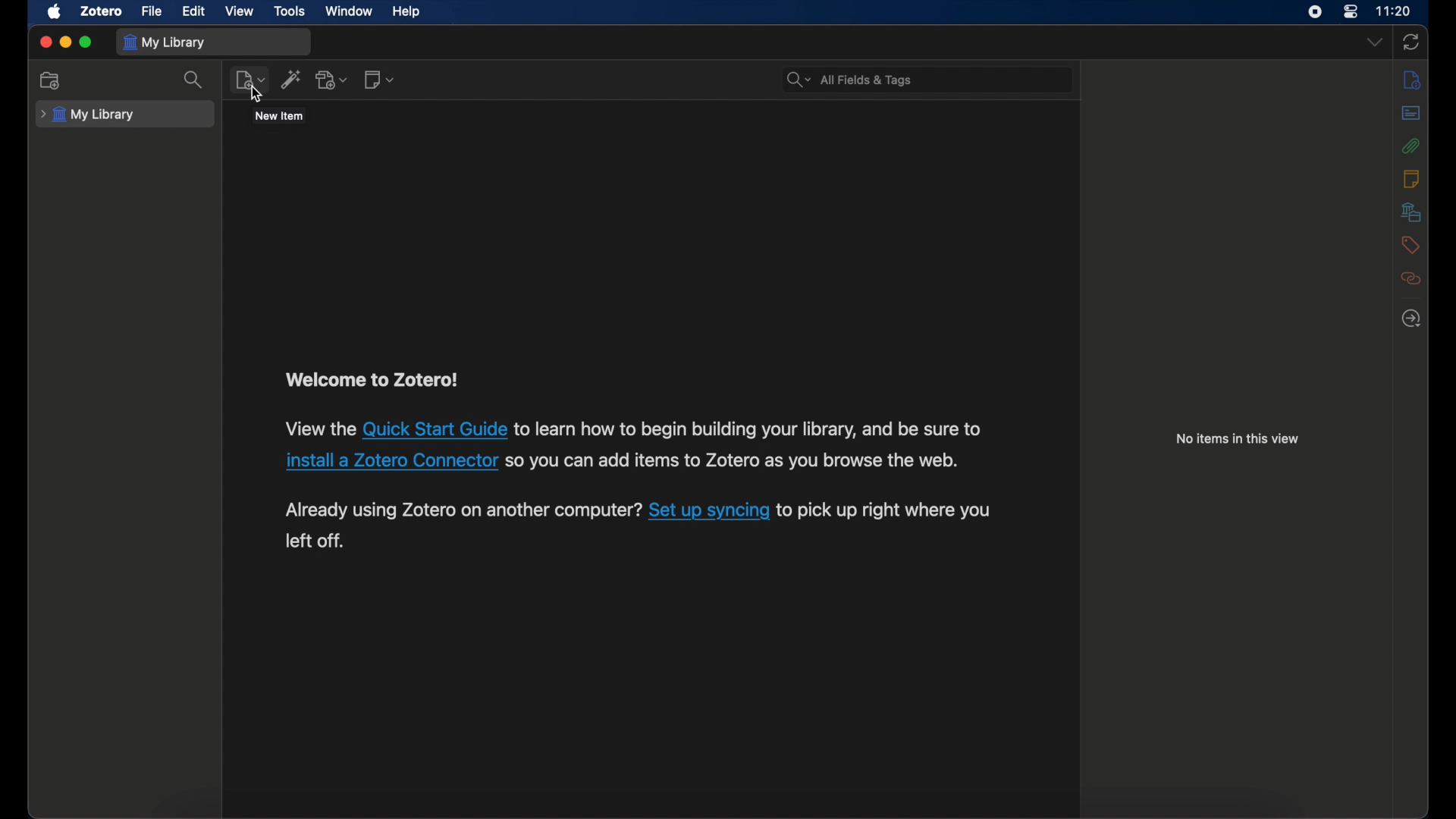 This screenshot has width=1456, height=819. What do you see at coordinates (1375, 41) in the screenshot?
I see `dropdown` at bounding box center [1375, 41].